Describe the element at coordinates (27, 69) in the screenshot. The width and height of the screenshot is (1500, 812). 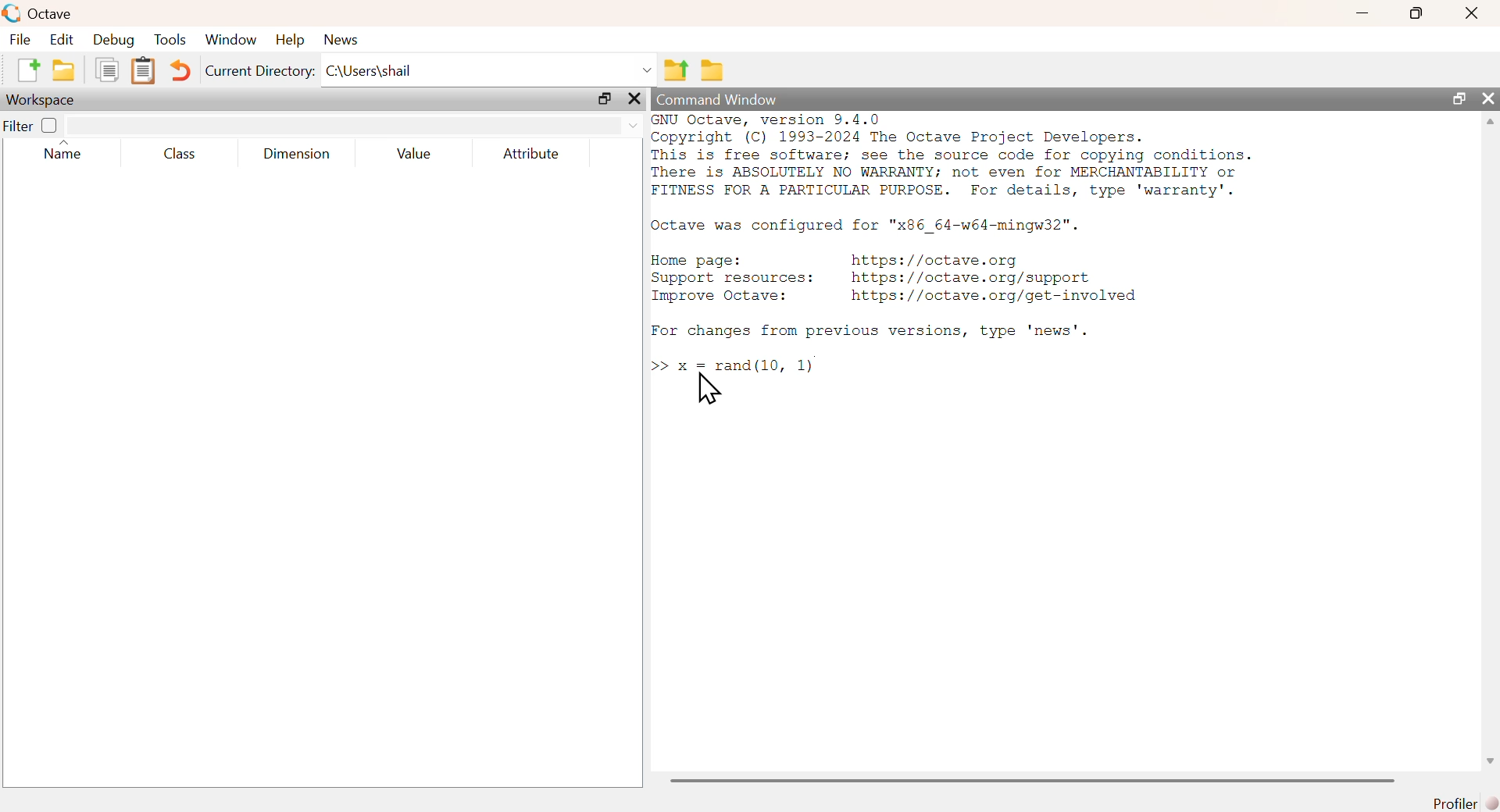
I see `new script` at that location.